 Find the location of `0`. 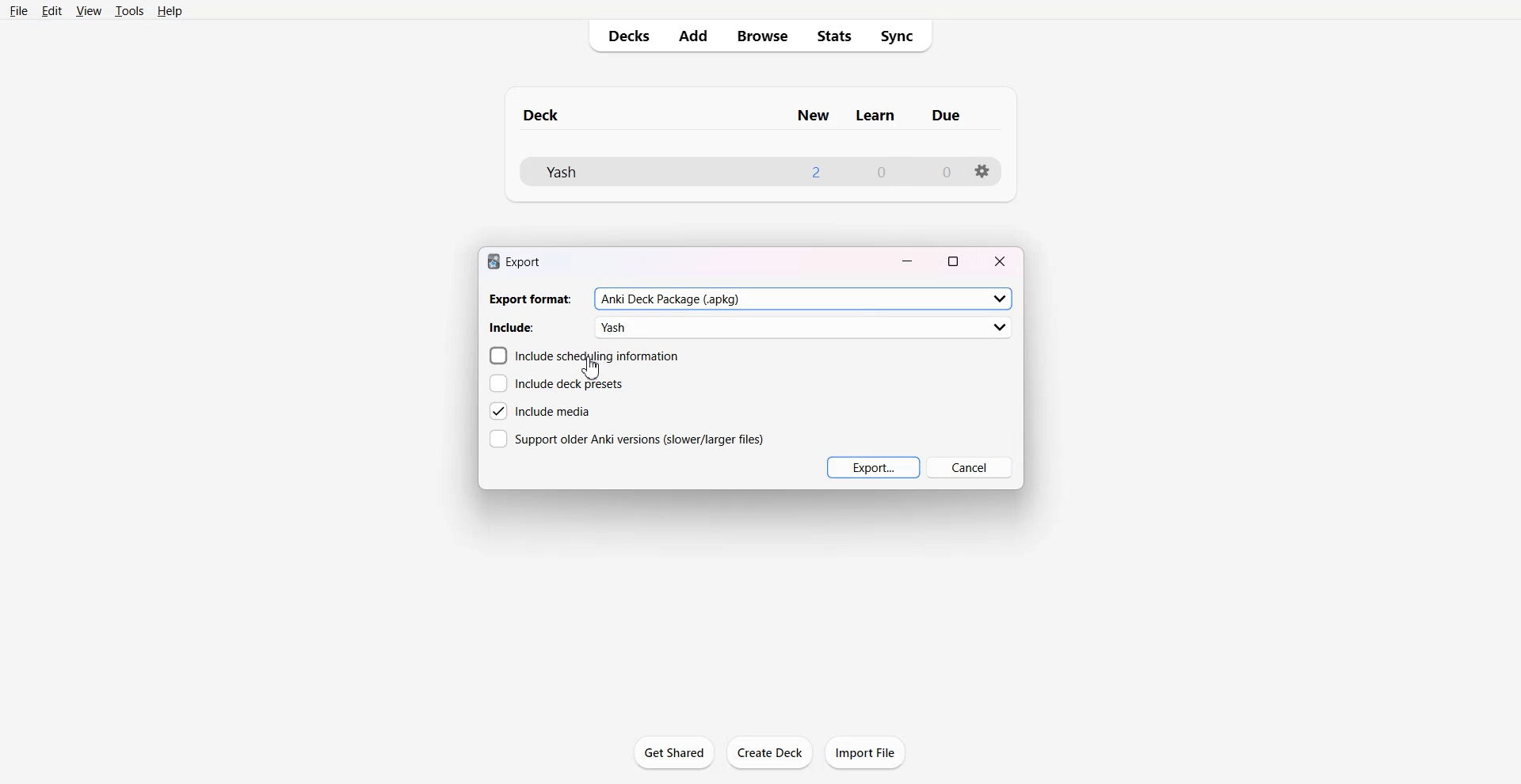

0 is located at coordinates (945, 172).